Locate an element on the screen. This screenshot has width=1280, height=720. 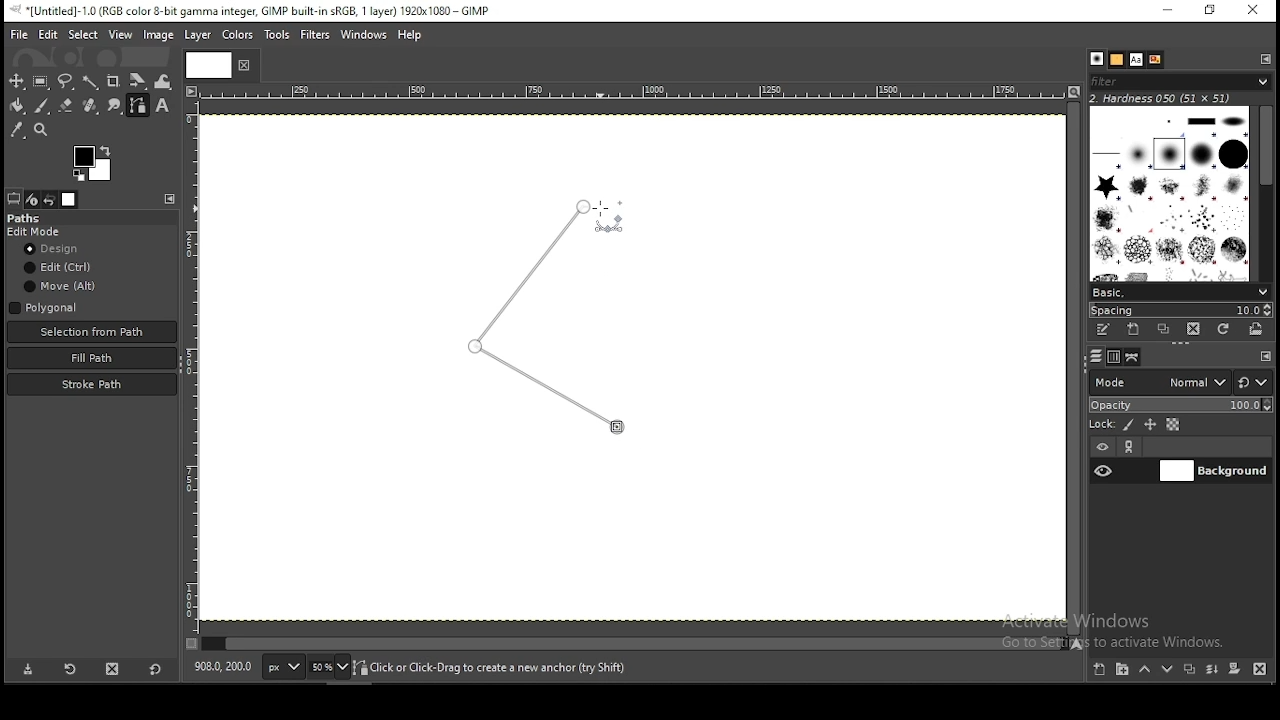
2. hardness 050 (51x51) is located at coordinates (1170, 99).